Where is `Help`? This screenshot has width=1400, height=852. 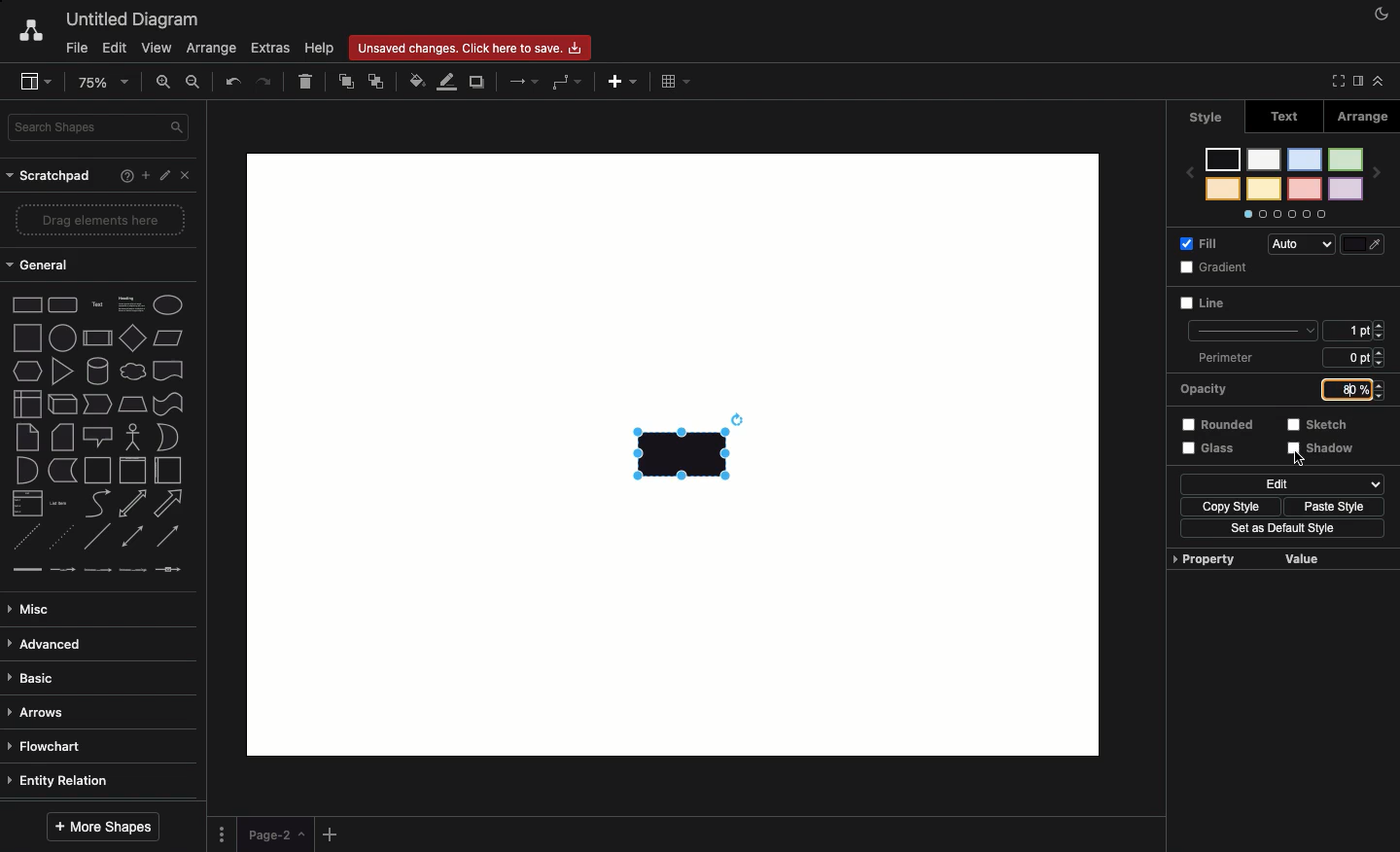 Help is located at coordinates (122, 176).